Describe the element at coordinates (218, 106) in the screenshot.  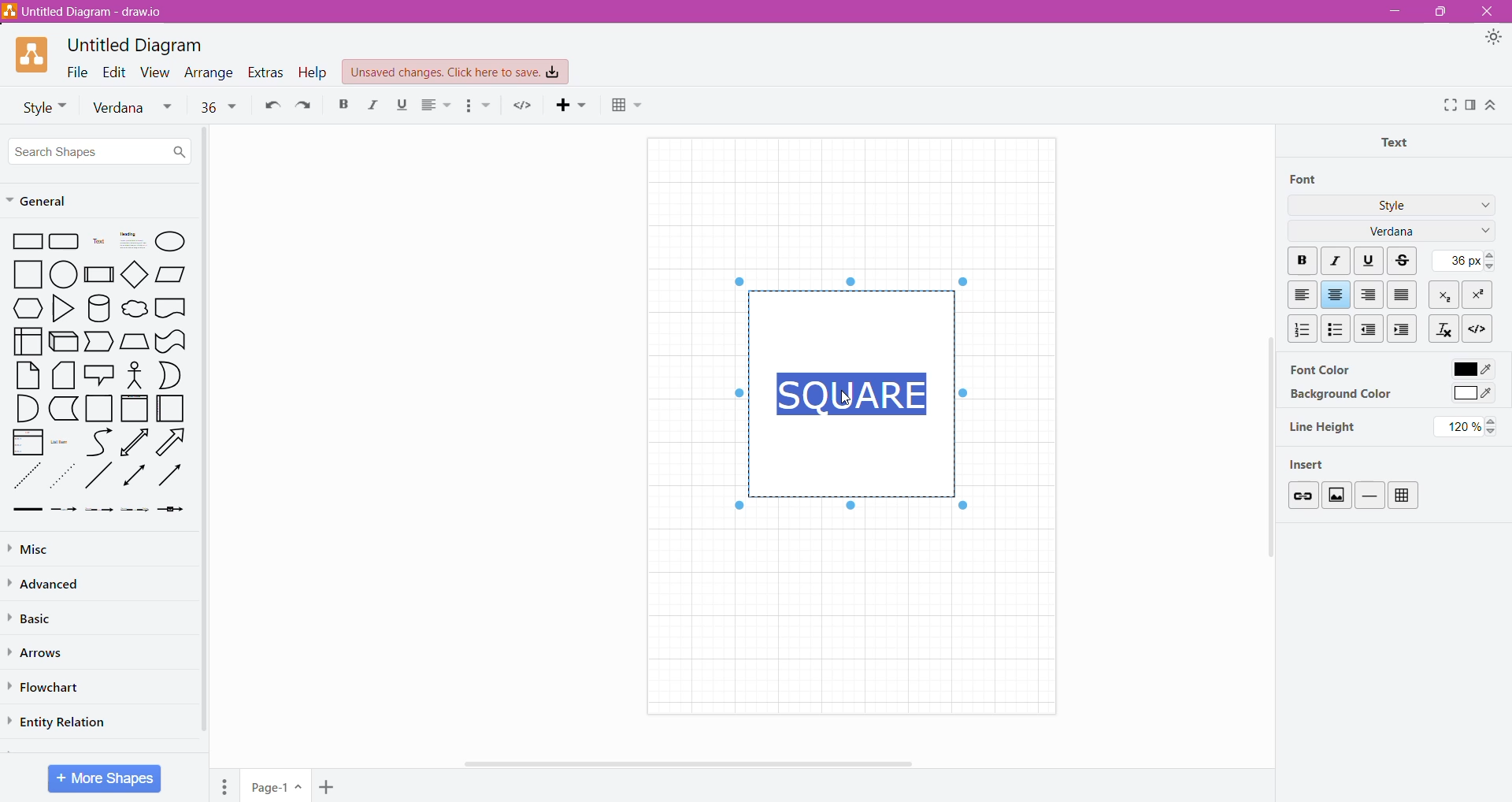
I see `Font size` at that location.